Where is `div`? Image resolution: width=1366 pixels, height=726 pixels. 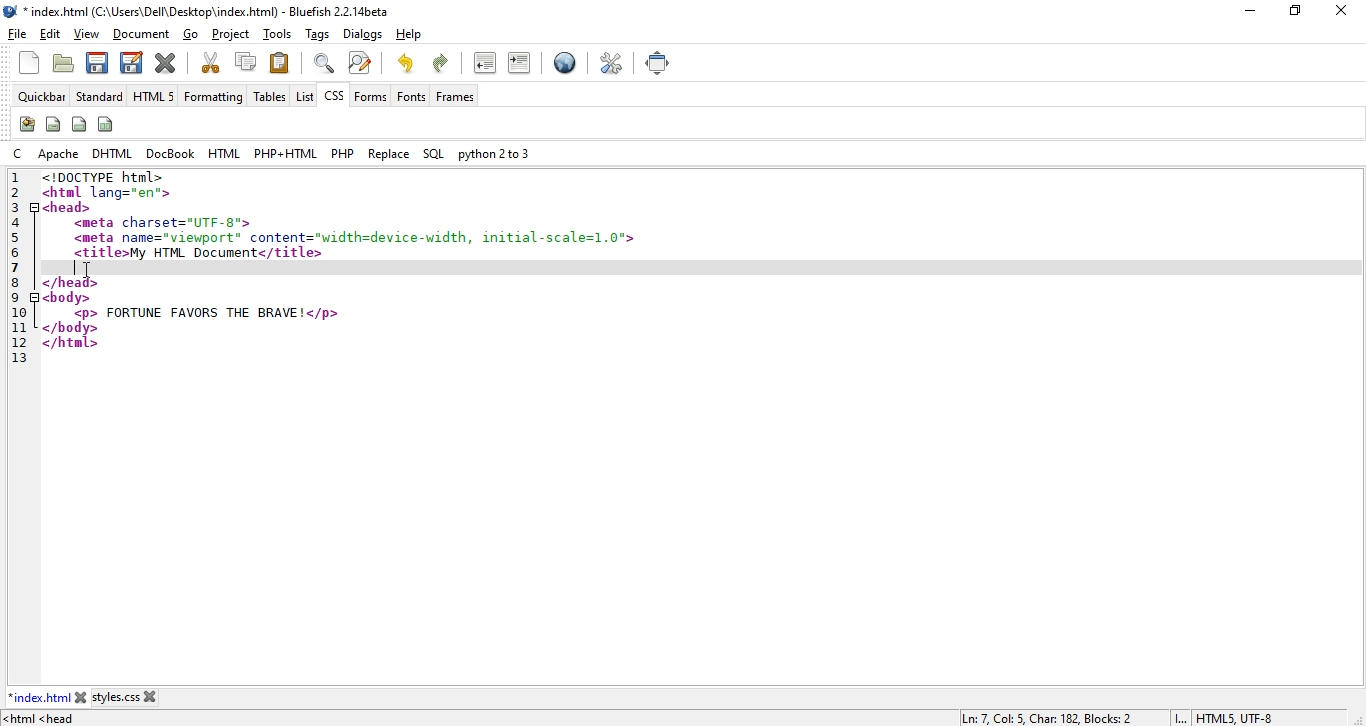
div is located at coordinates (80, 123).